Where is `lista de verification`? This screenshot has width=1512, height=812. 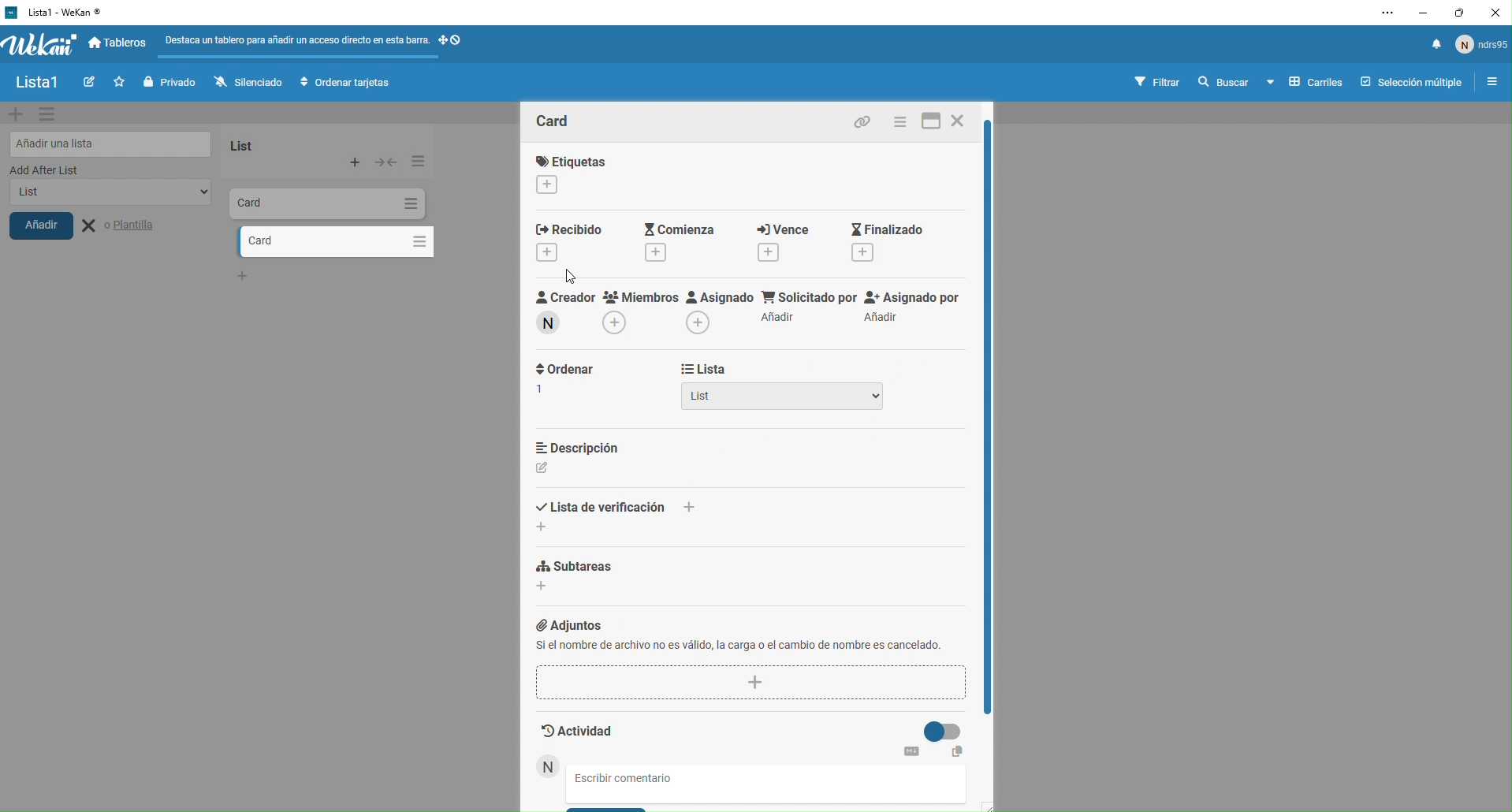
lista de verification is located at coordinates (610, 509).